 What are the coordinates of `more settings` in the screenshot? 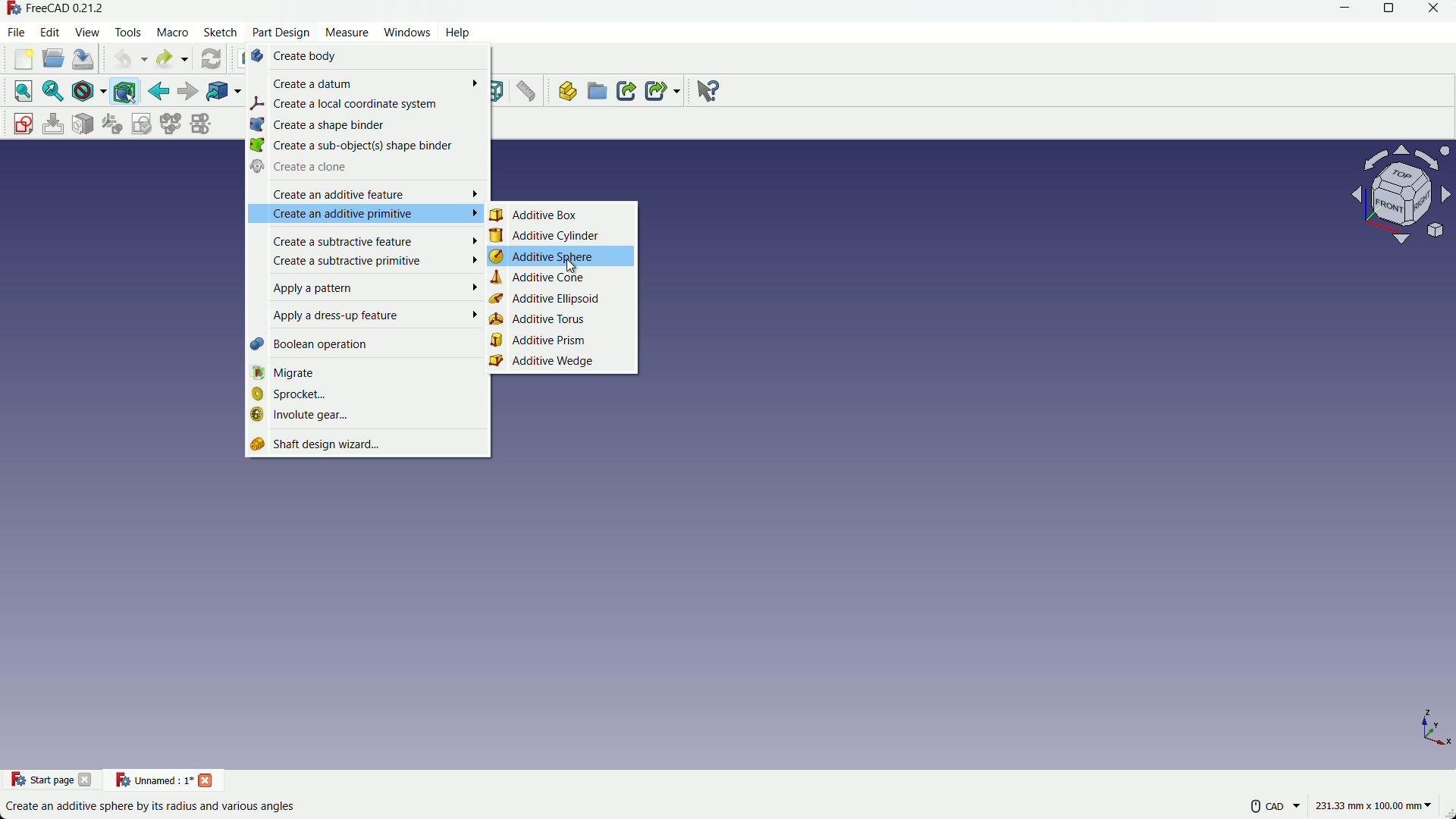 It's located at (1275, 805).